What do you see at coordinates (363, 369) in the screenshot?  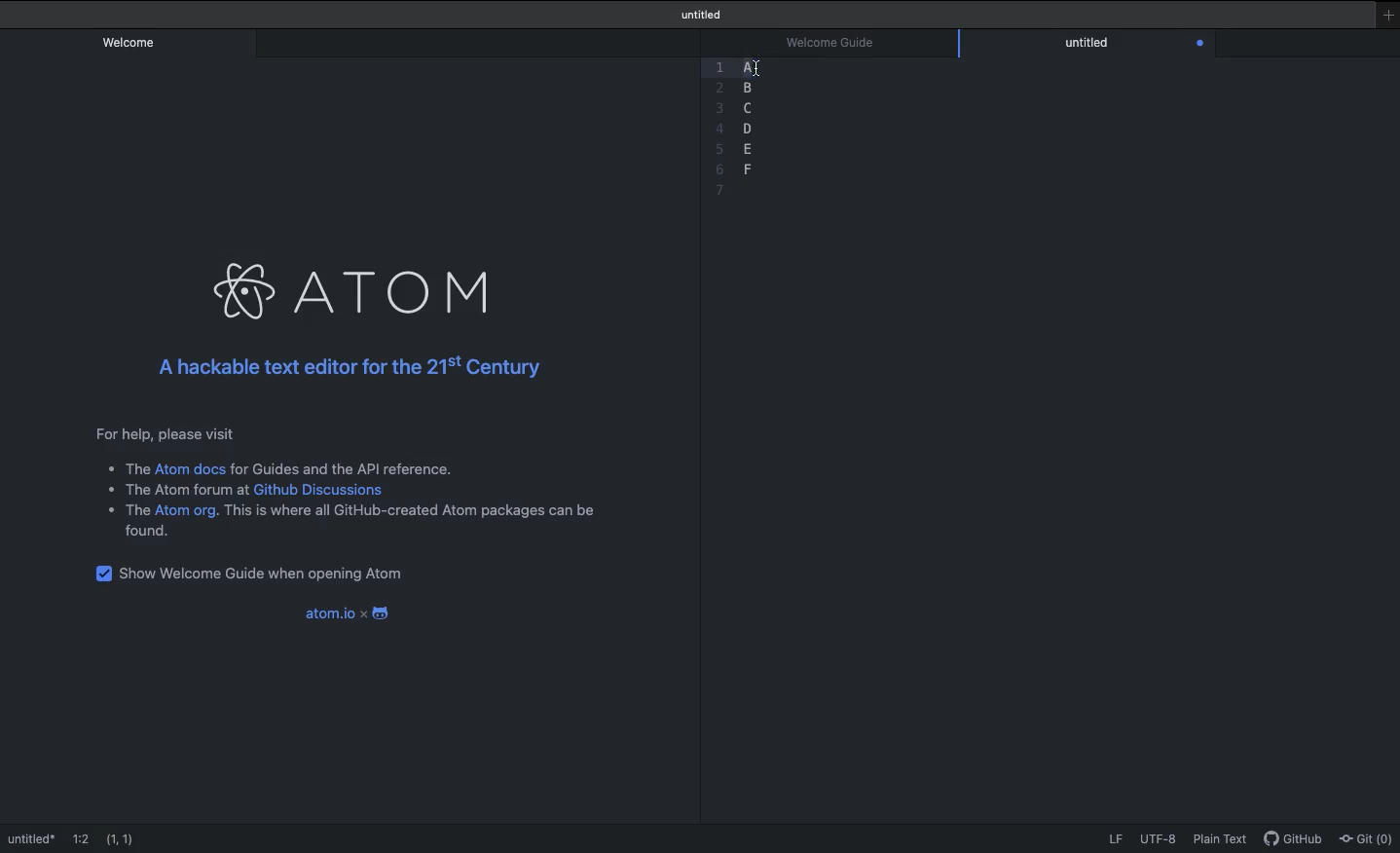 I see `A hackable text editor ` at bounding box center [363, 369].